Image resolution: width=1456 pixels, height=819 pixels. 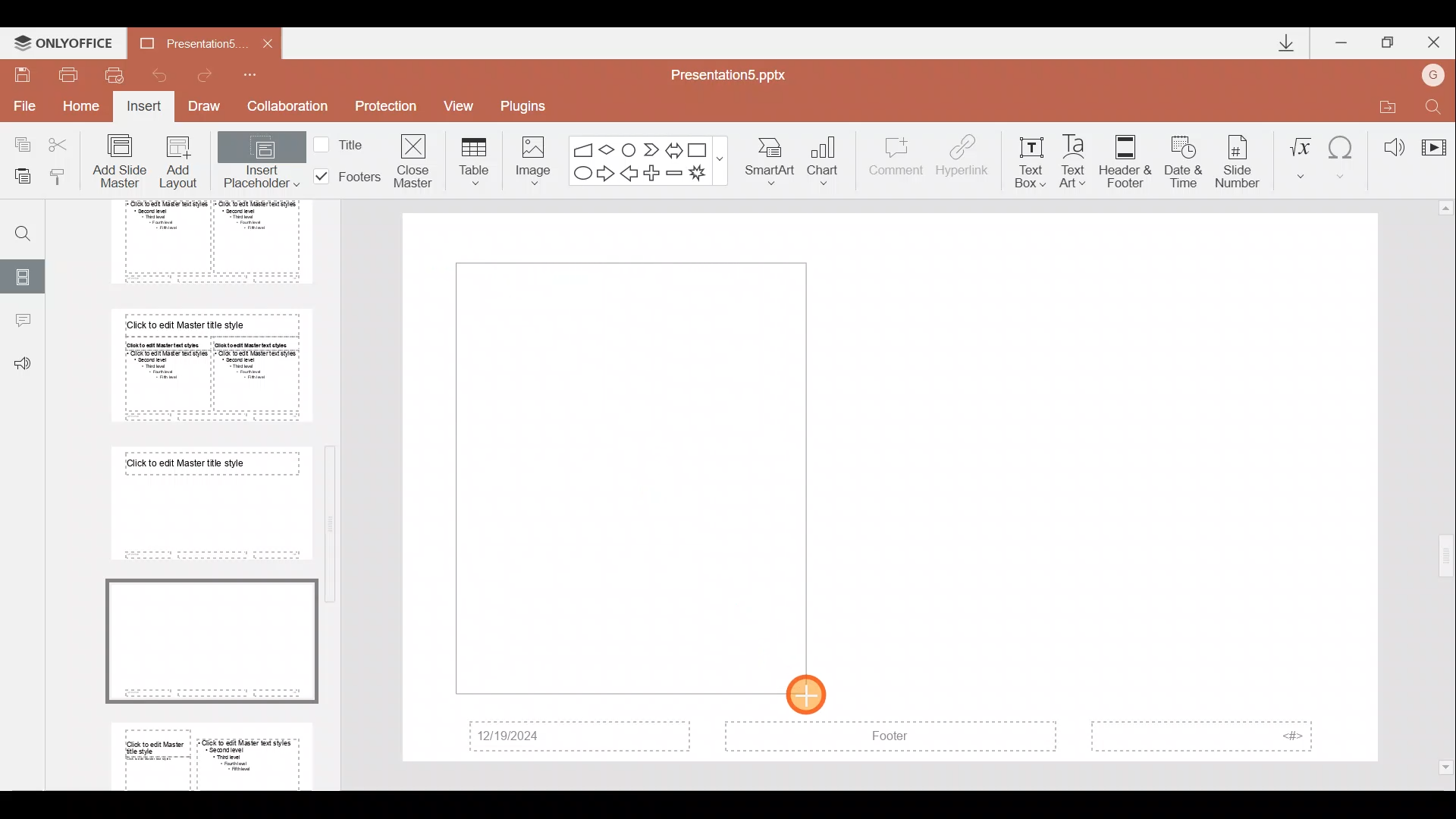 I want to click on Undo, so click(x=158, y=74).